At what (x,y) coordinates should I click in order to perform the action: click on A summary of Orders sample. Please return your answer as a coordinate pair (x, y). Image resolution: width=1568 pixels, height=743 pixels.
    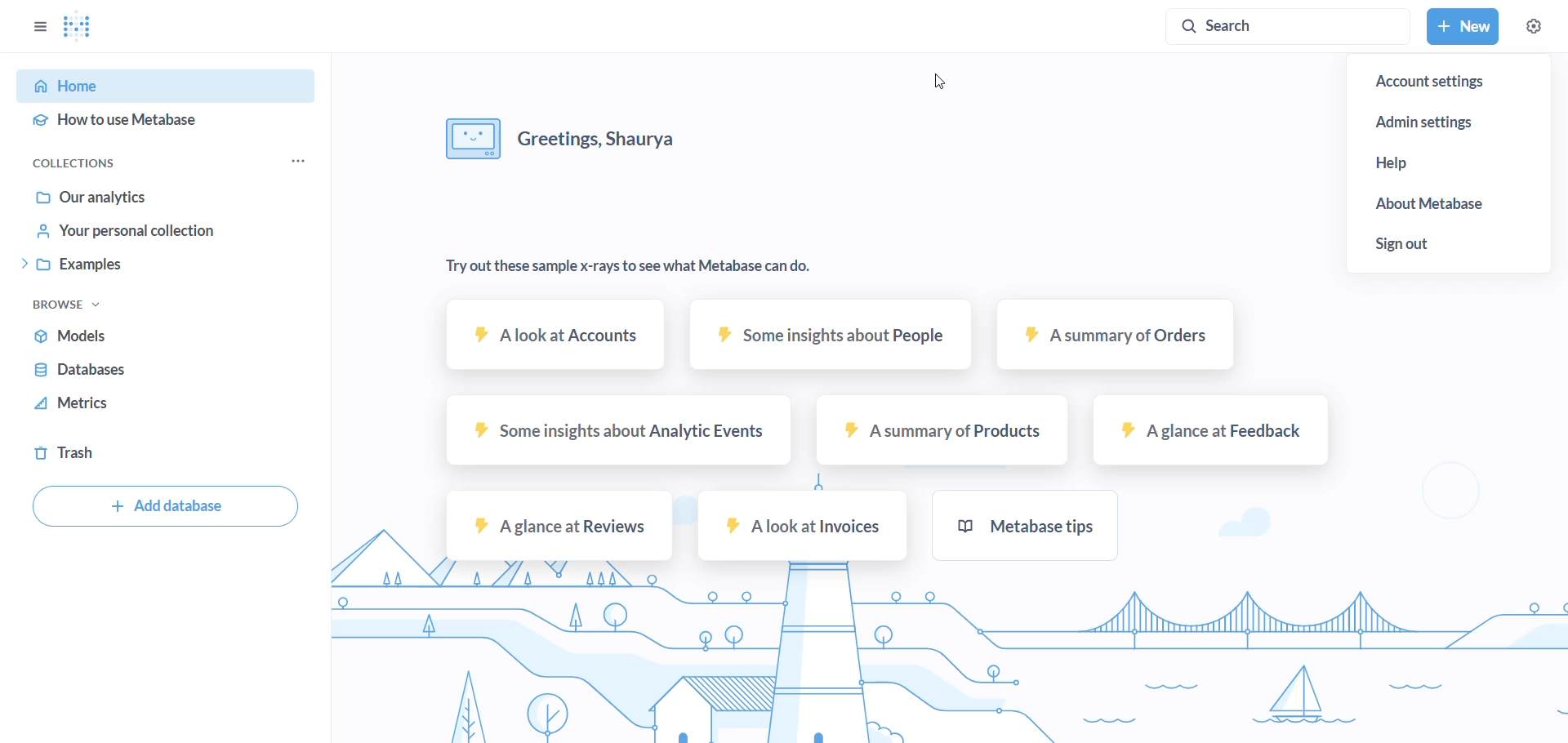
    Looking at the image, I should click on (1102, 340).